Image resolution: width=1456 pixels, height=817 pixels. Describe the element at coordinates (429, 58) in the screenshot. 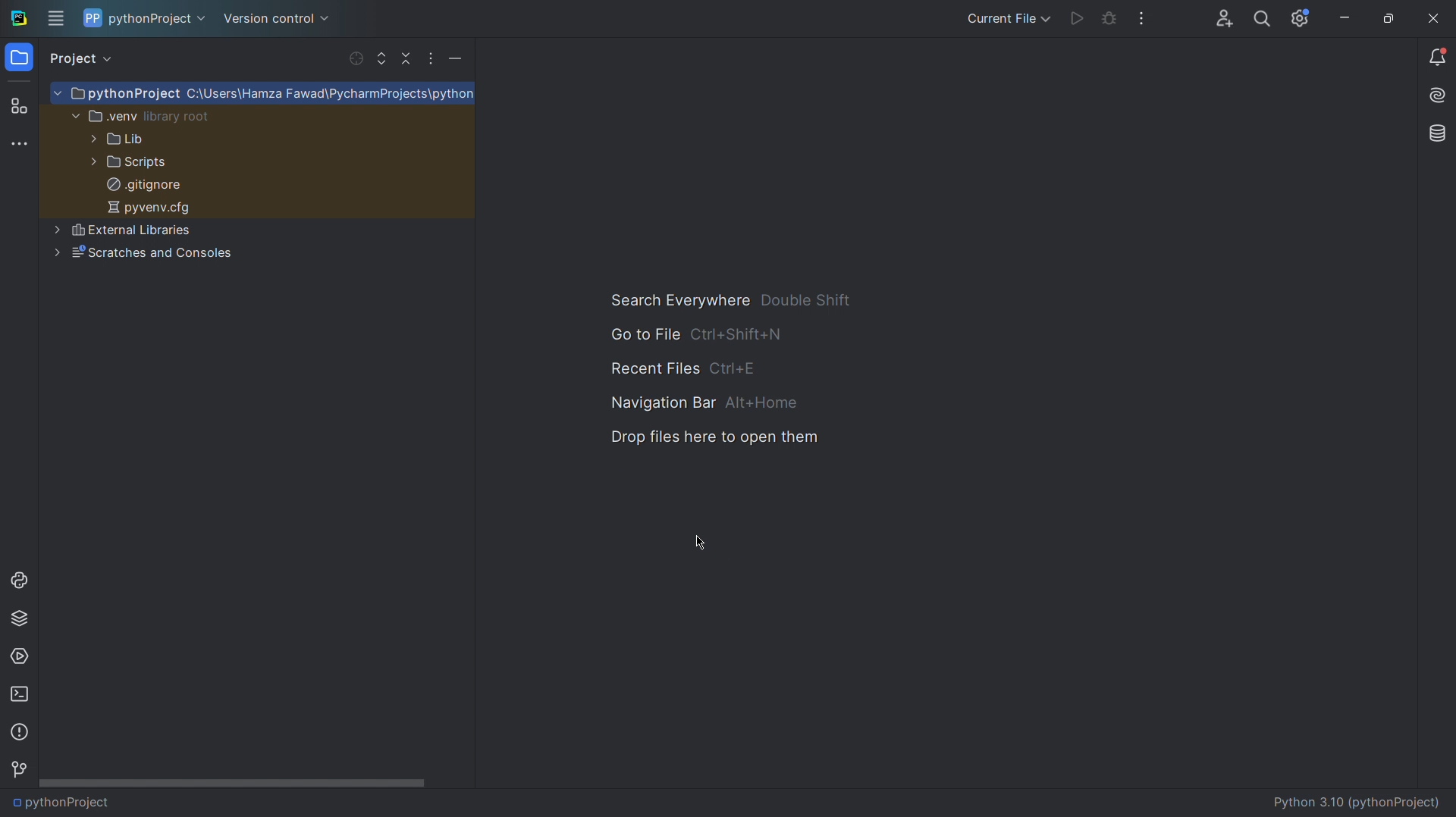

I see `More` at that location.